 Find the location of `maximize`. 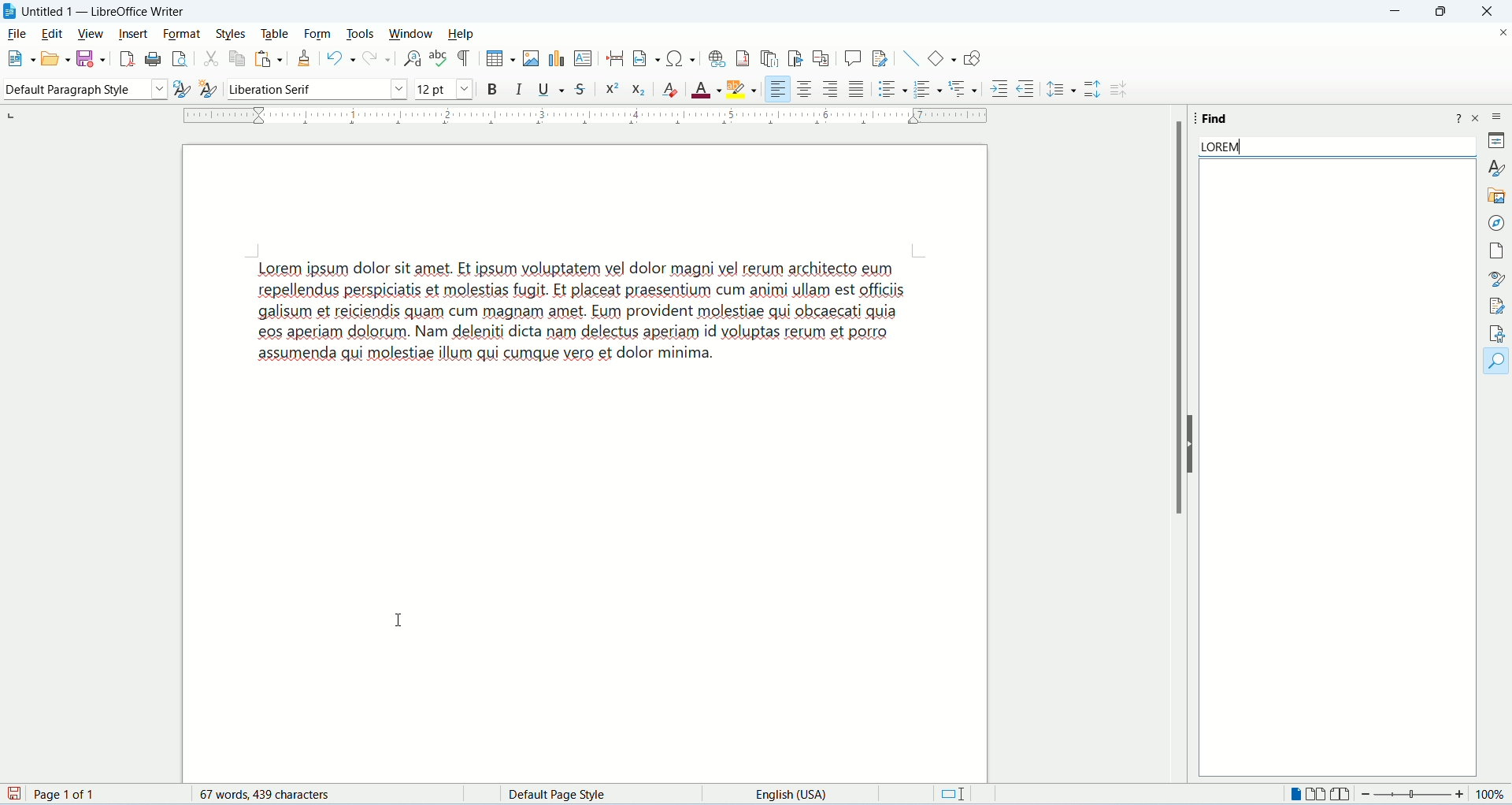

maximize is located at coordinates (1442, 14).